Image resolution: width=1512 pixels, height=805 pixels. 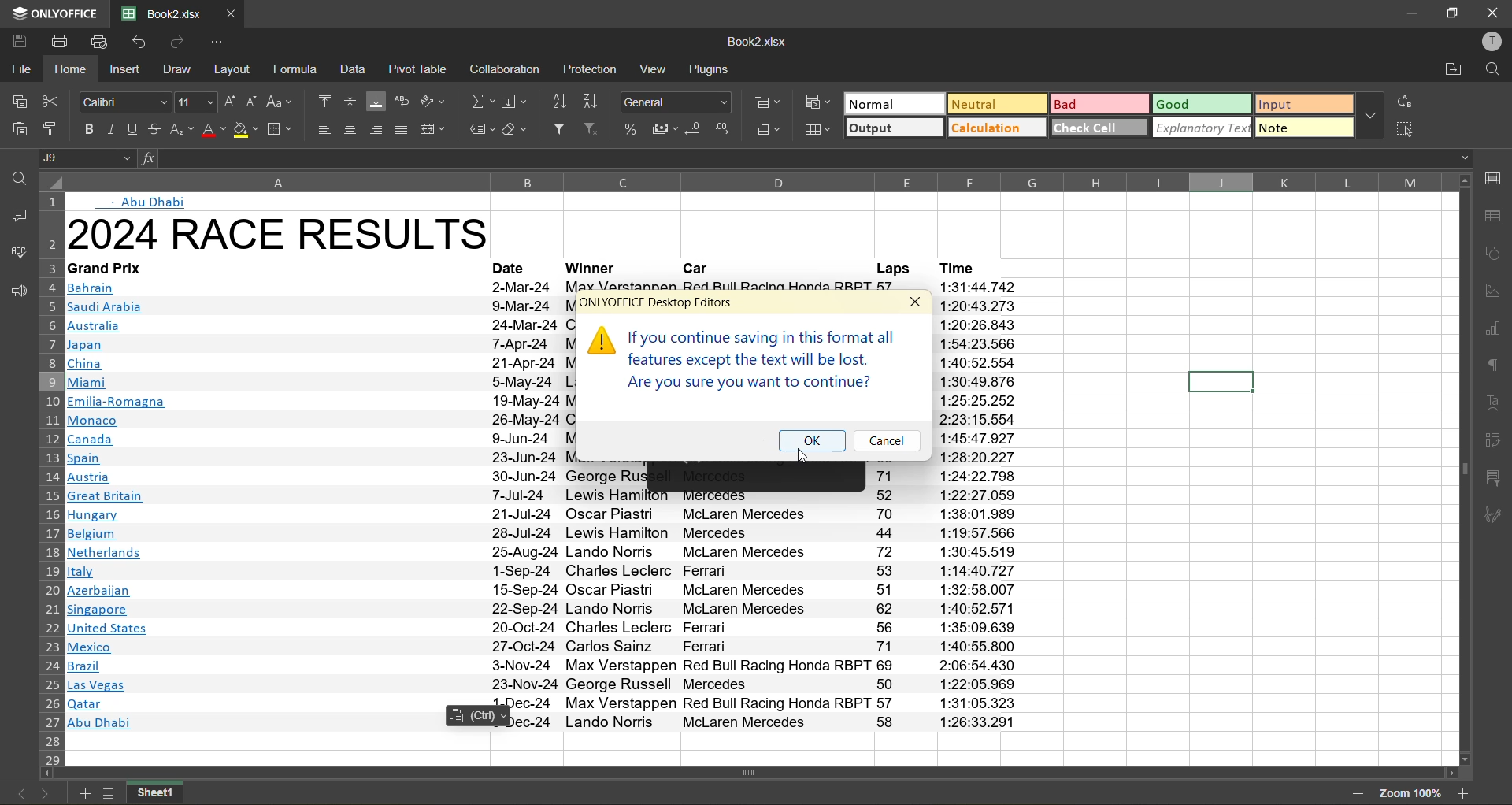 I want to click on decrement size, so click(x=254, y=99).